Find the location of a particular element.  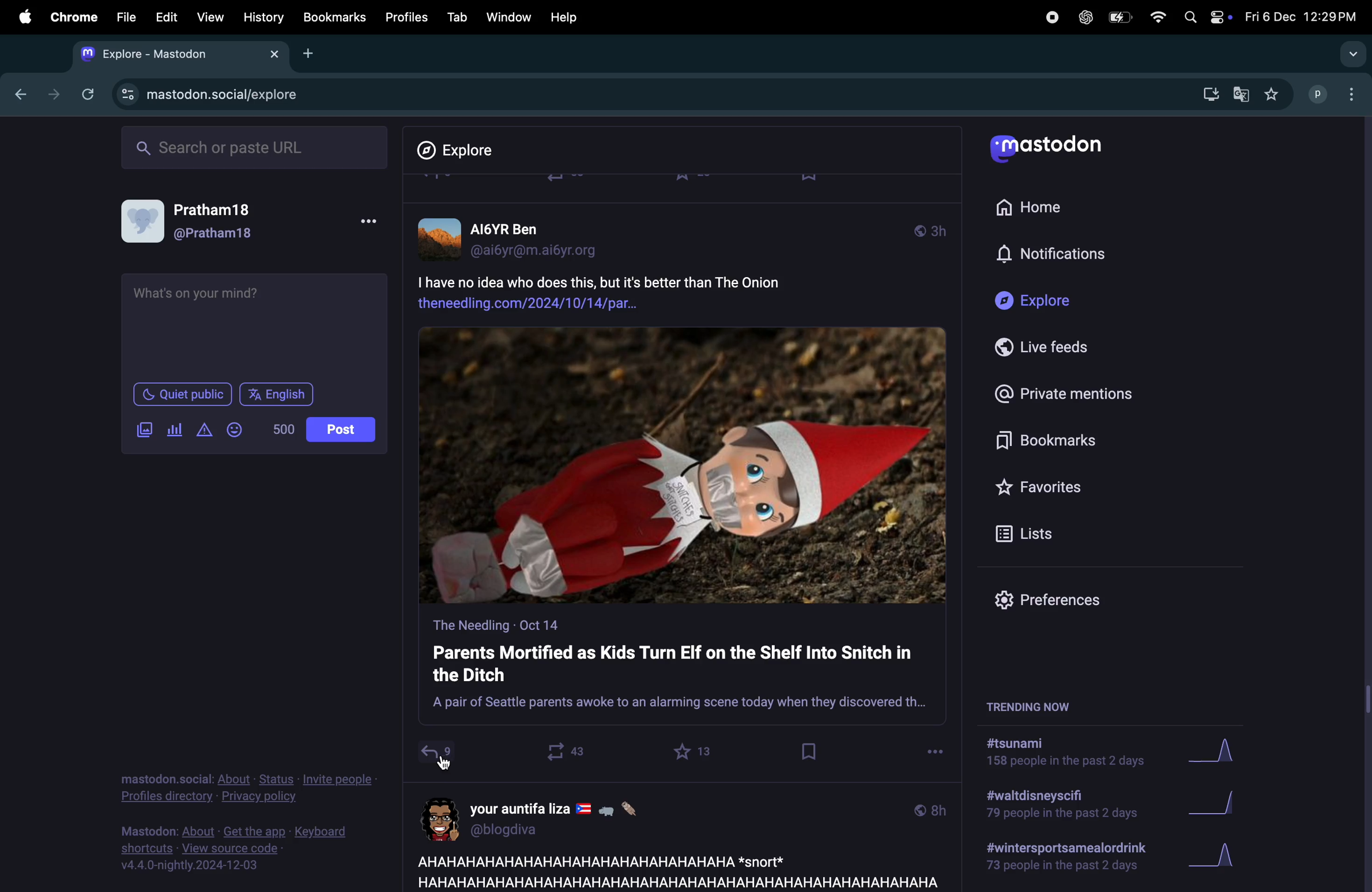

drop down is located at coordinates (1349, 55).